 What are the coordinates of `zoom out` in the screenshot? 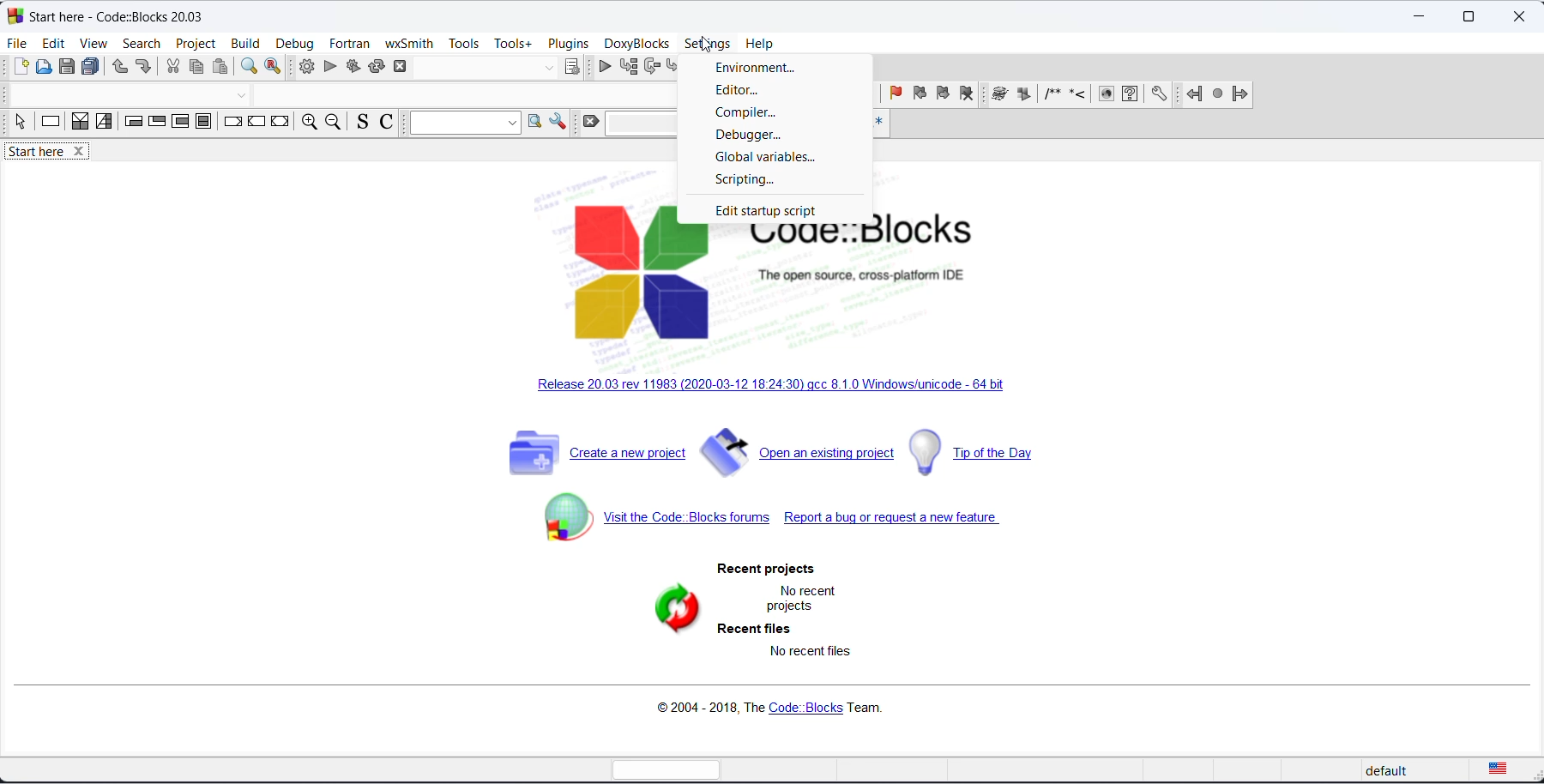 It's located at (310, 122).